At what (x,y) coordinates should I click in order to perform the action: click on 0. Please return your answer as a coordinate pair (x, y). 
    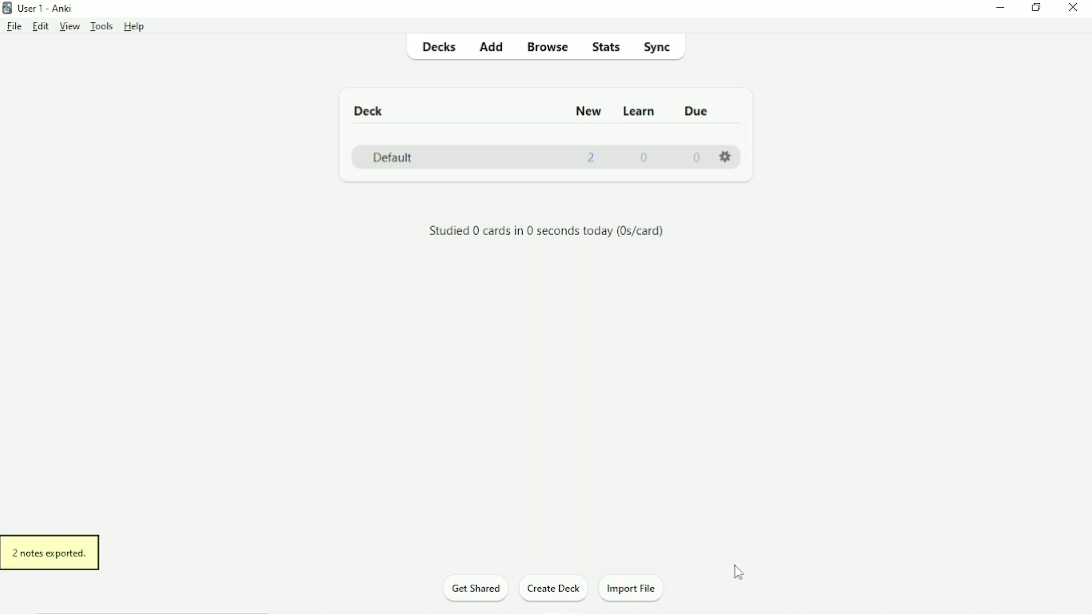
    Looking at the image, I should click on (696, 158).